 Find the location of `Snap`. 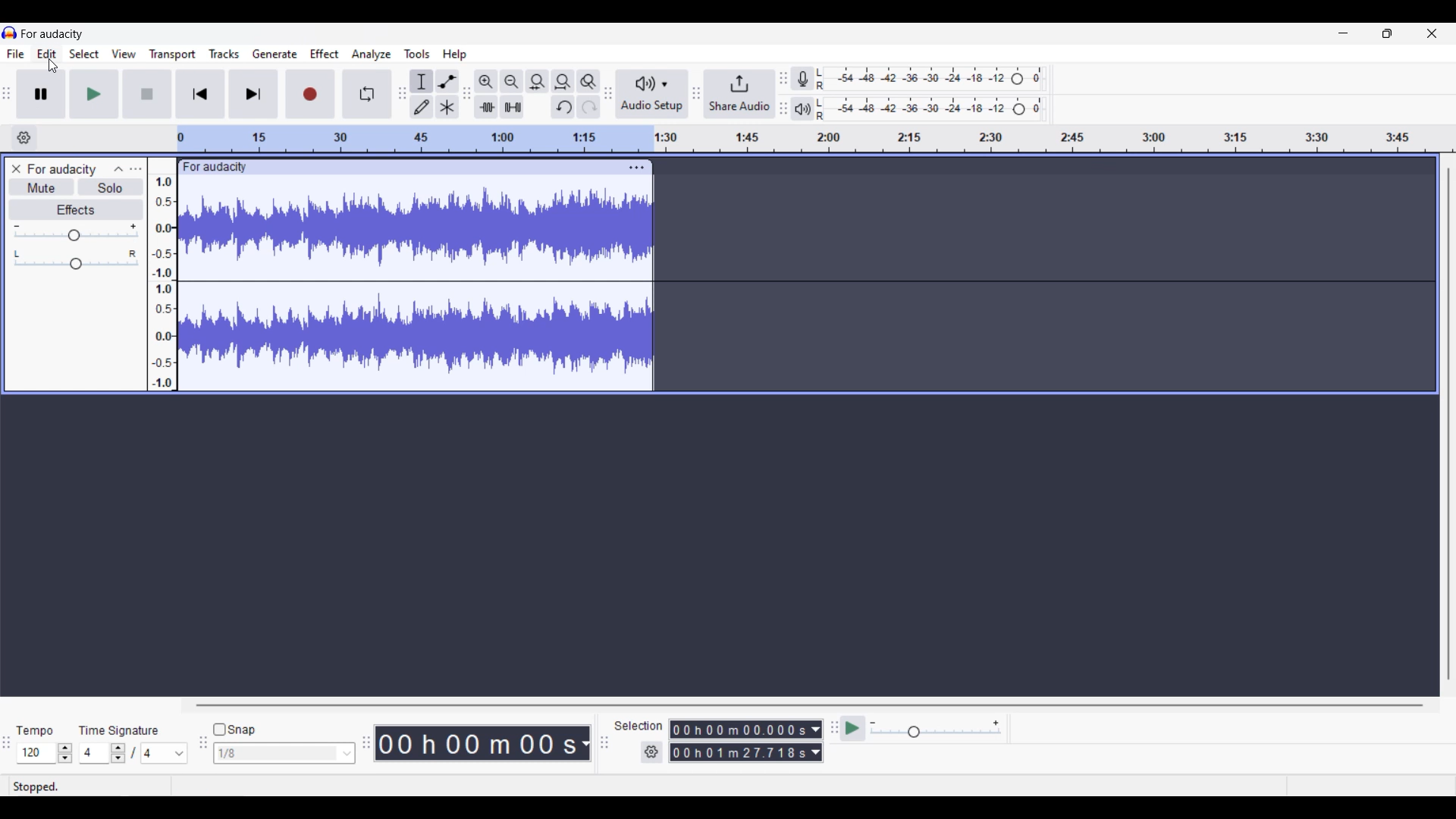

Snap is located at coordinates (234, 729).